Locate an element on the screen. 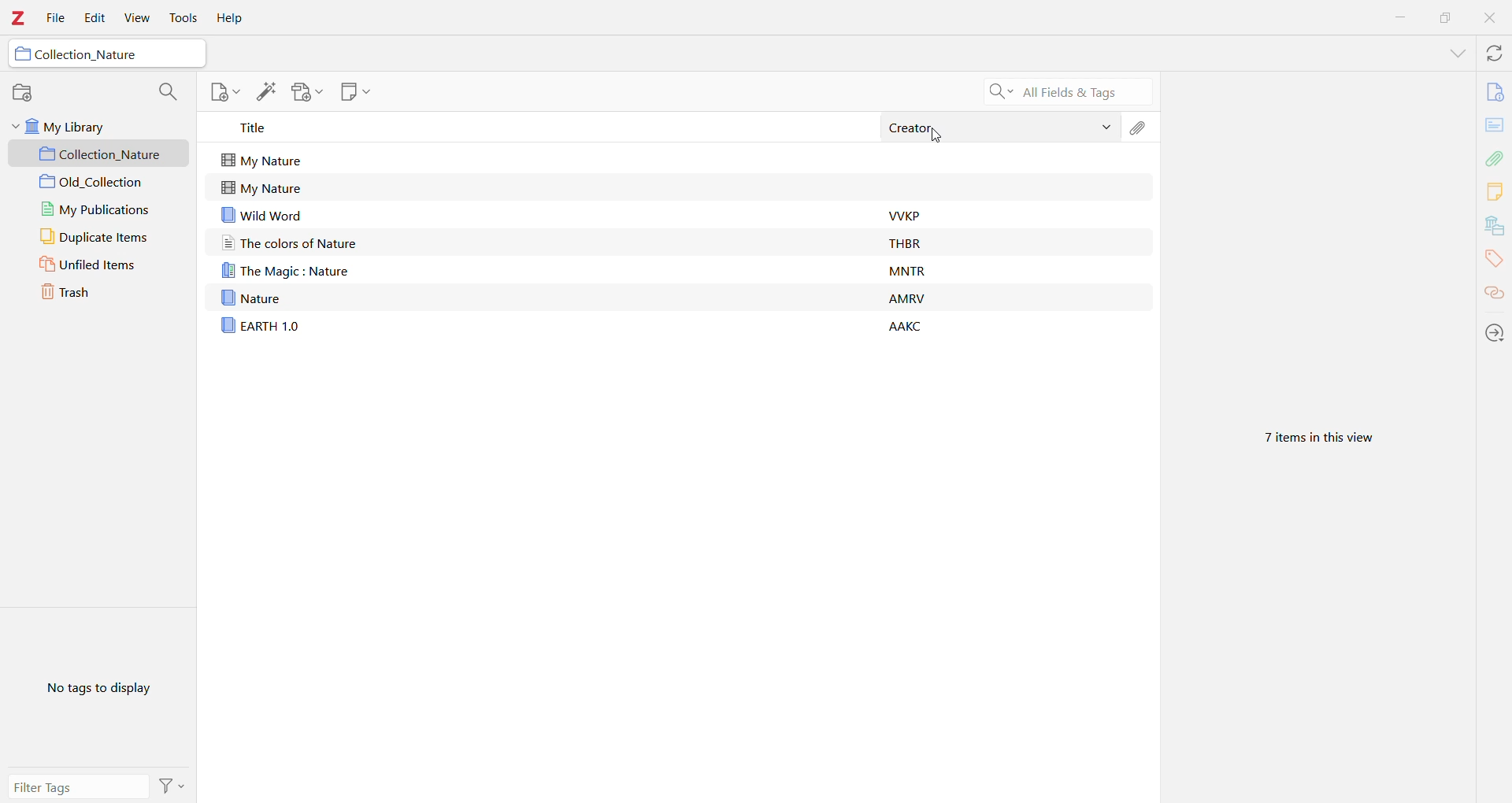 The height and width of the screenshot is (803, 1512). Creator information is located at coordinates (921, 267).